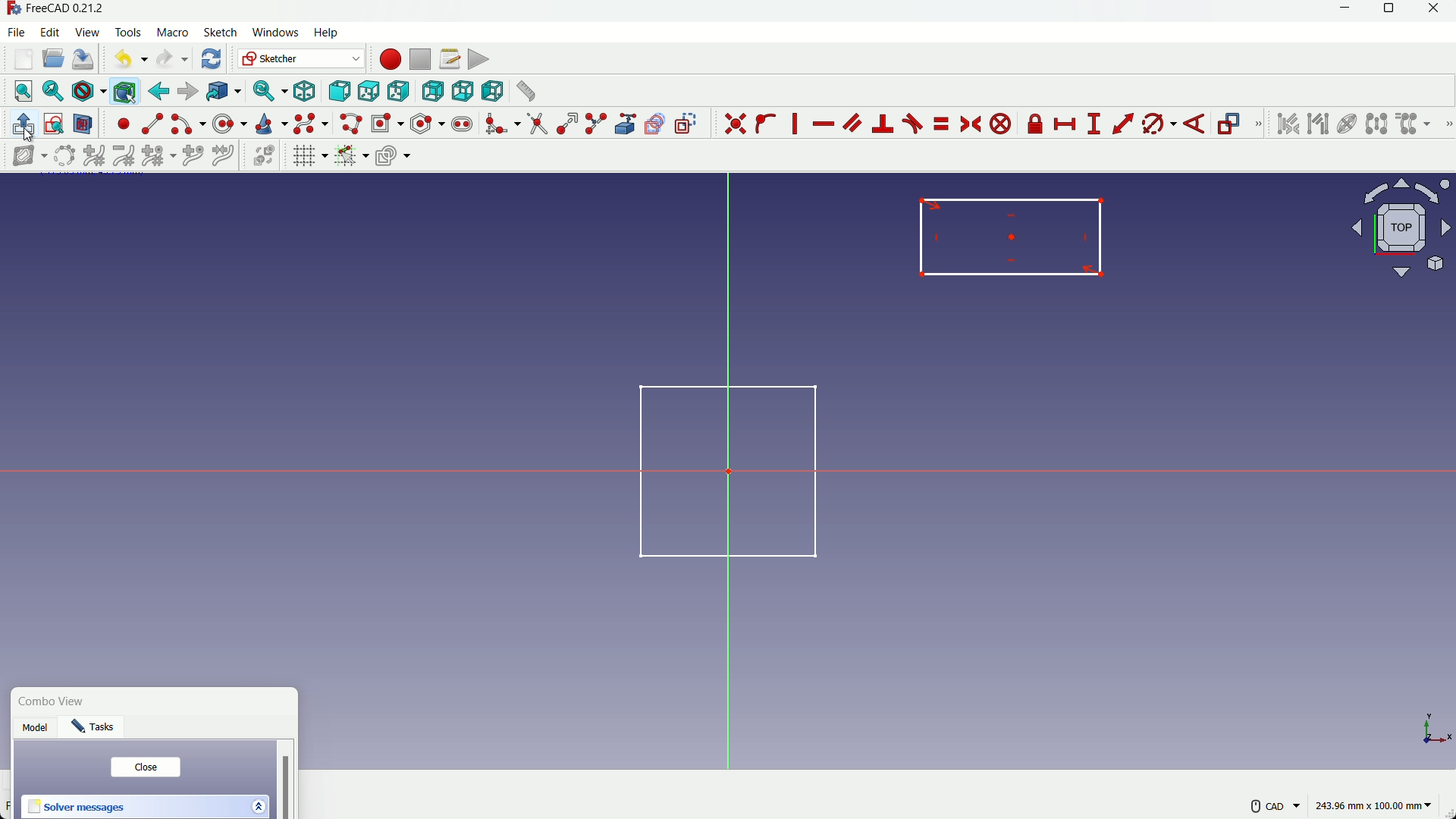 The width and height of the screenshot is (1456, 819). What do you see at coordinates (501, 124) in the screenshot?
I see `create fillet` at bounding box center [501, 124].